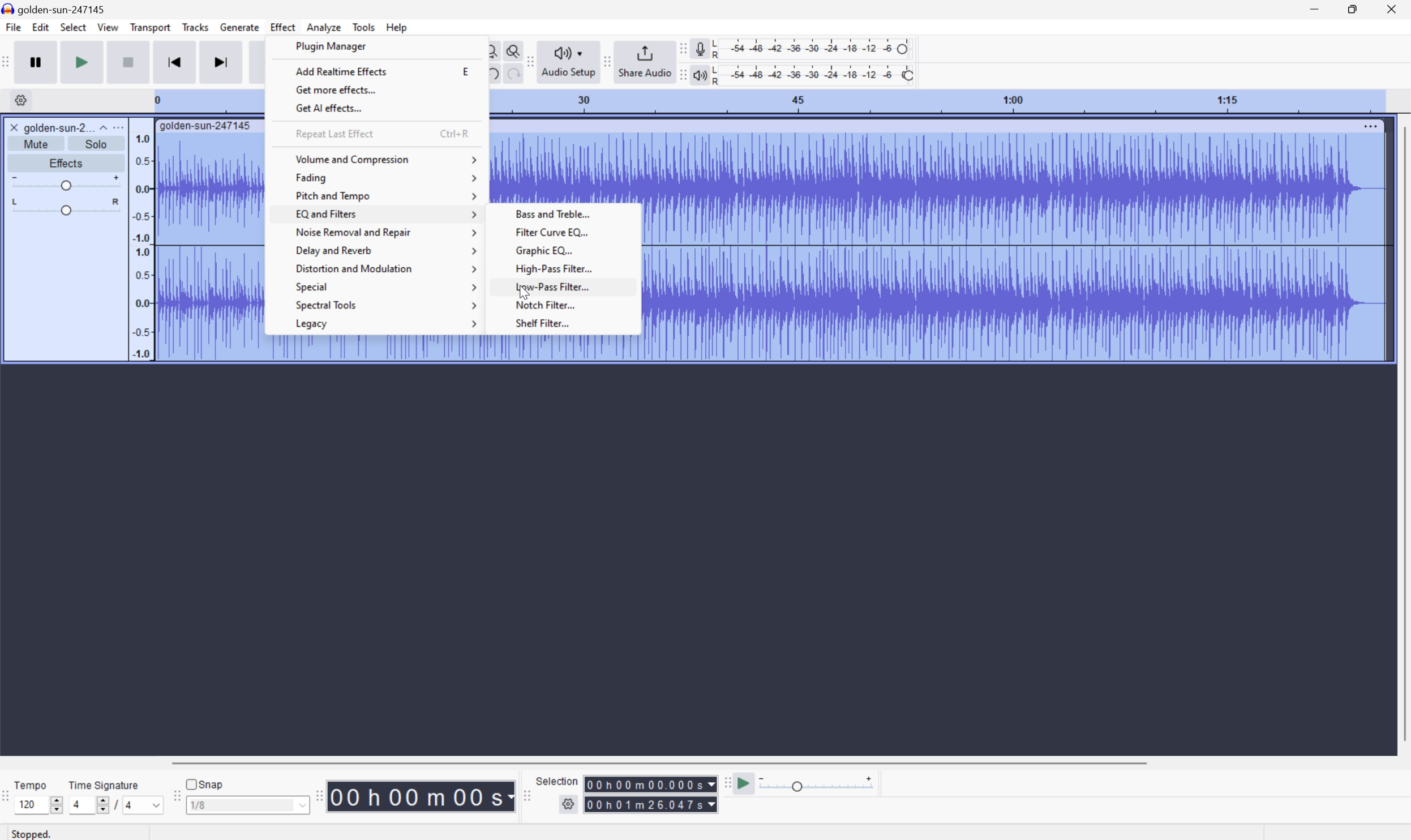  I want to click on Restore Down, so click(1352, 10).